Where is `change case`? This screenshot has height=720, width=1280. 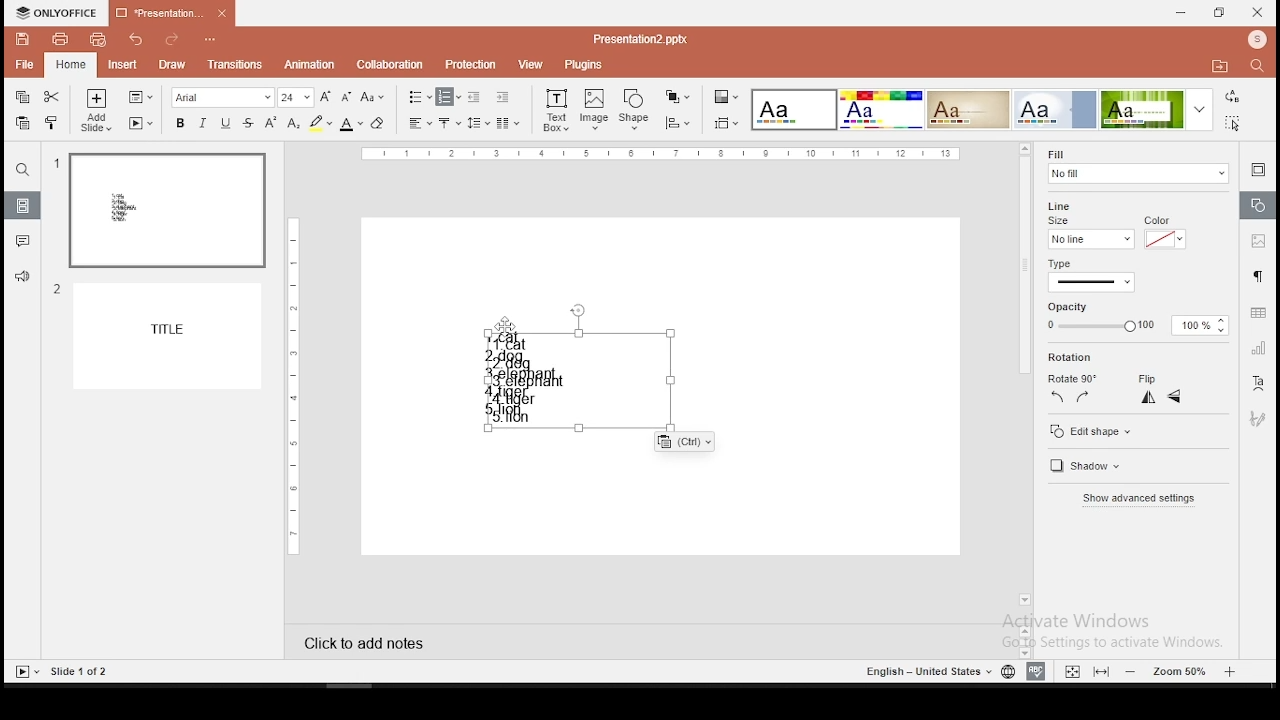 change case is located at coordinates (372, 96).